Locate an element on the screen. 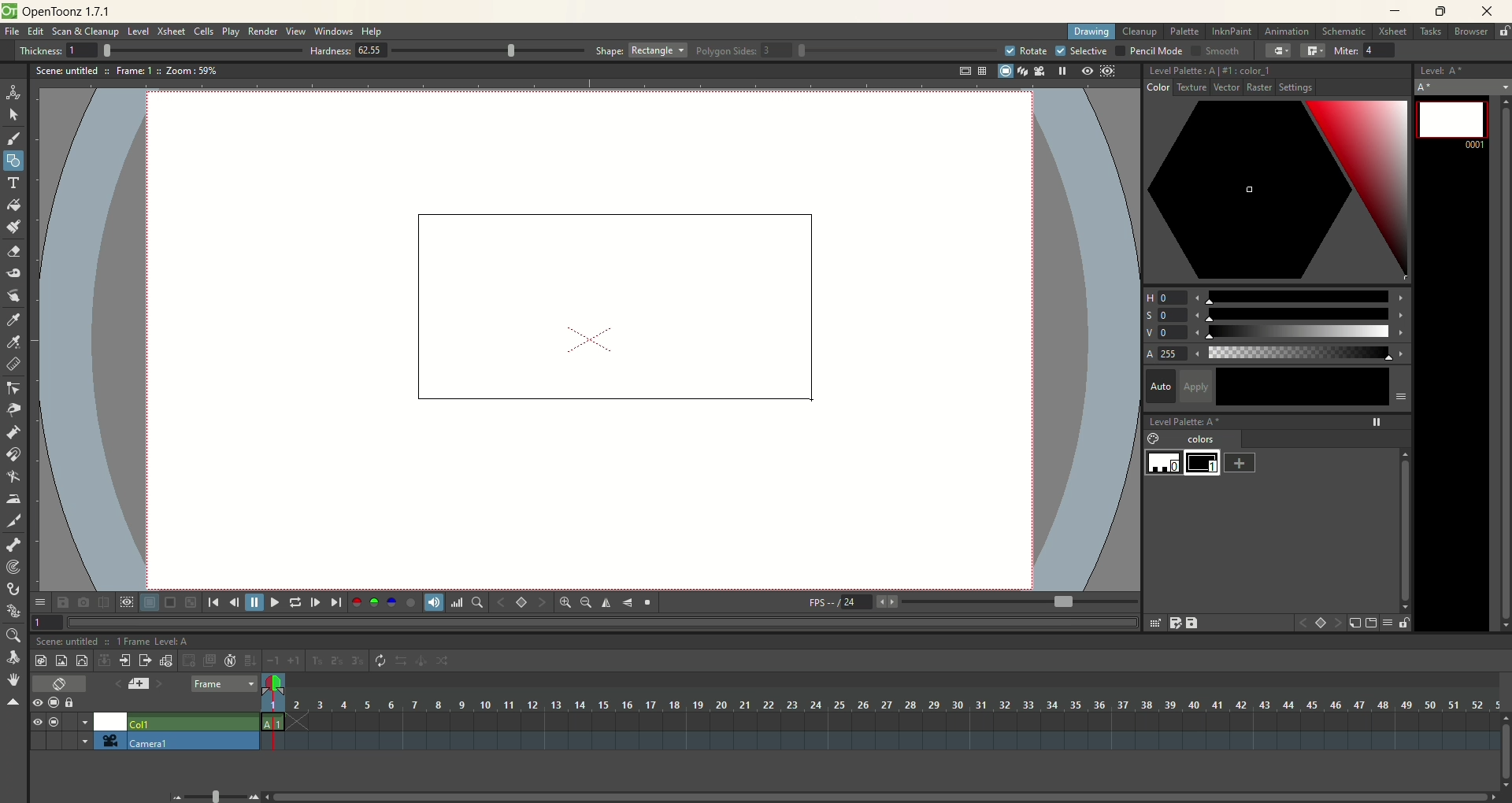 Image resolution: width=1512 pixels, height=803 pixels. OpenToonz 1.7.1 is located at coordinates (69, 13).